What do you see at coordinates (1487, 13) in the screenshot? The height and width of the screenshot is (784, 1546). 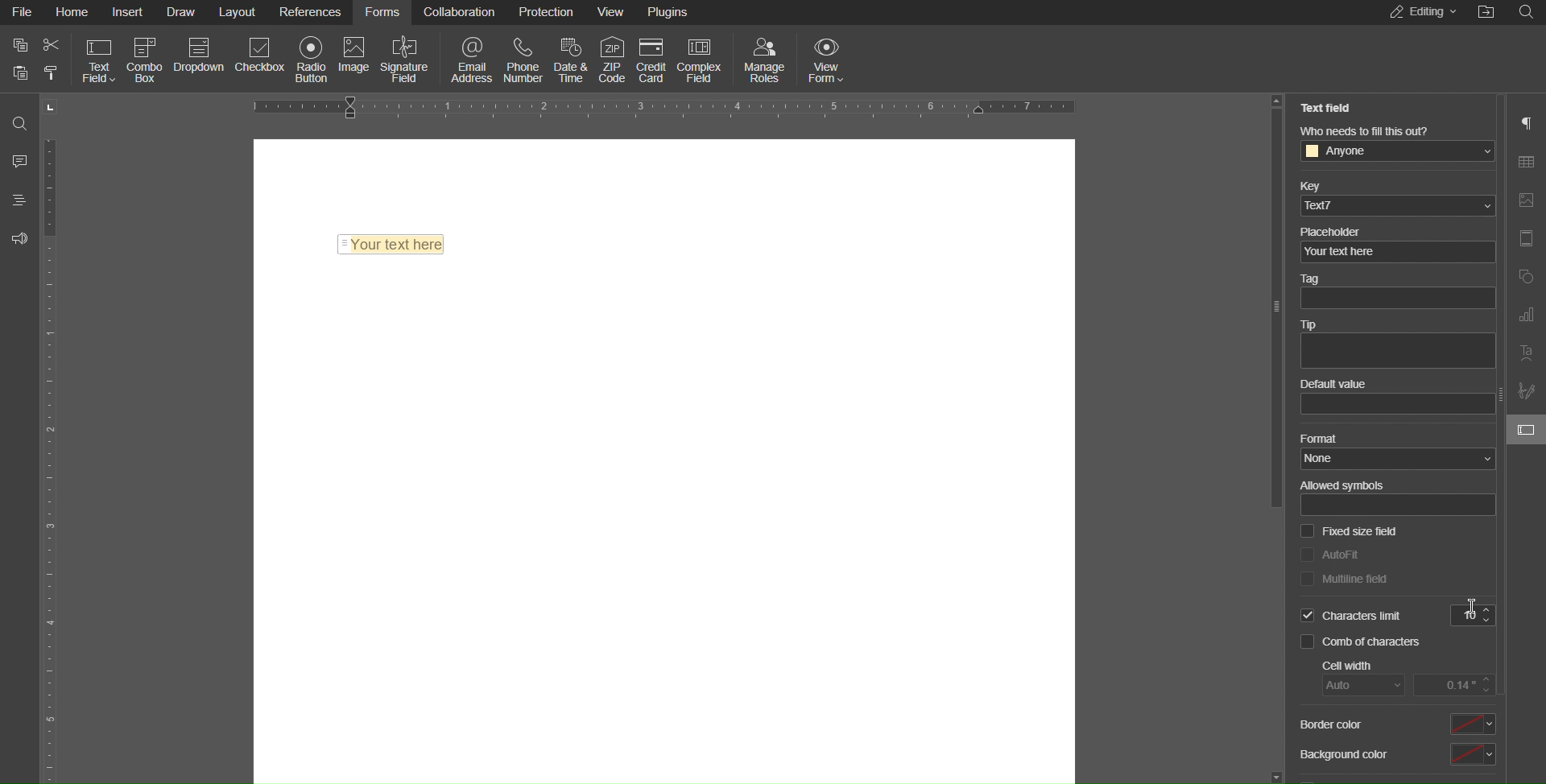 I see `Open File Location` at bounding box center [1487, 13].